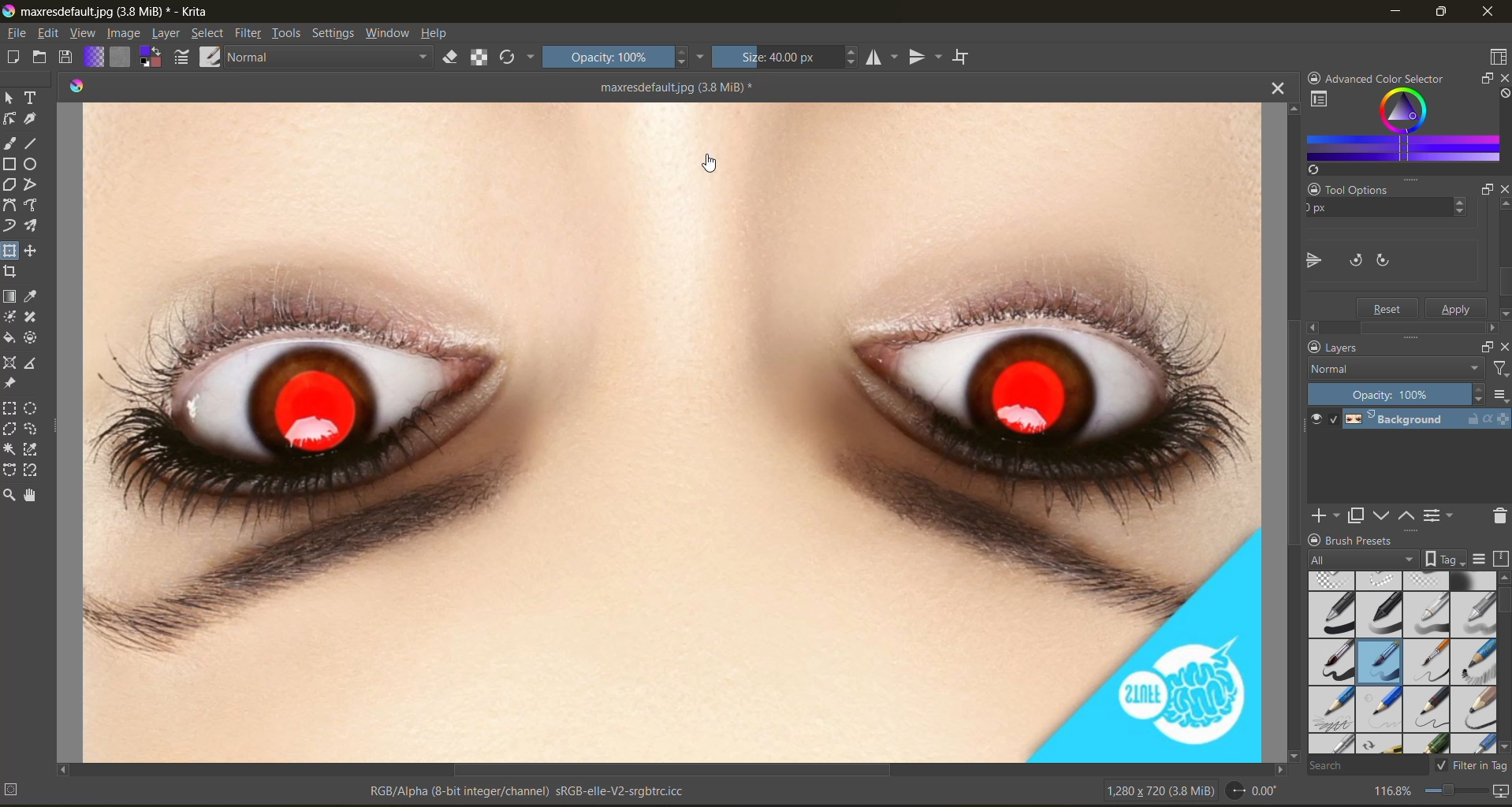 The width and height of the screenshot is (1512, 807). I want to click on normal, so click(331, 55).